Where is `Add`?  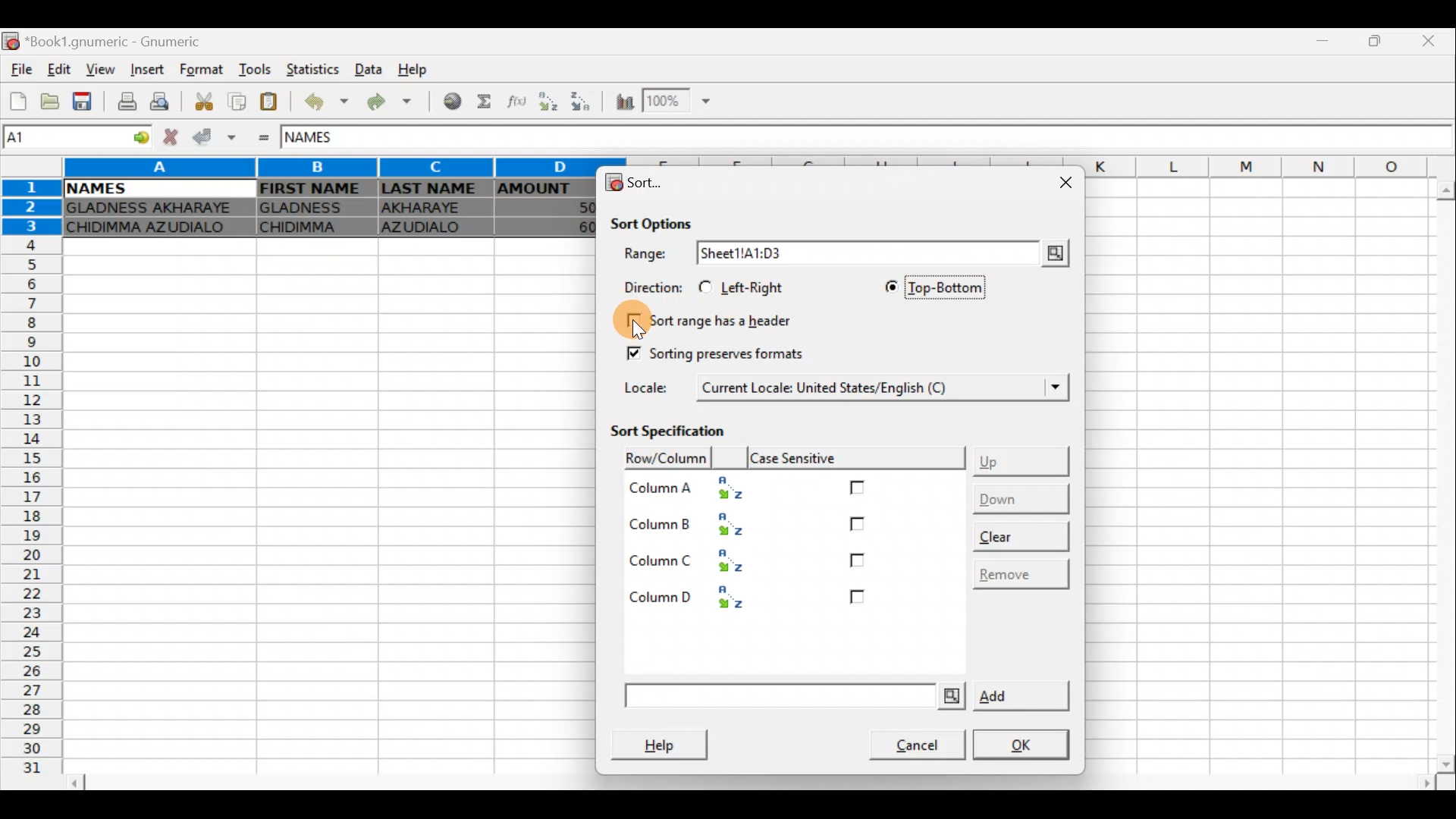
Add is located at coordinates (845, 697).